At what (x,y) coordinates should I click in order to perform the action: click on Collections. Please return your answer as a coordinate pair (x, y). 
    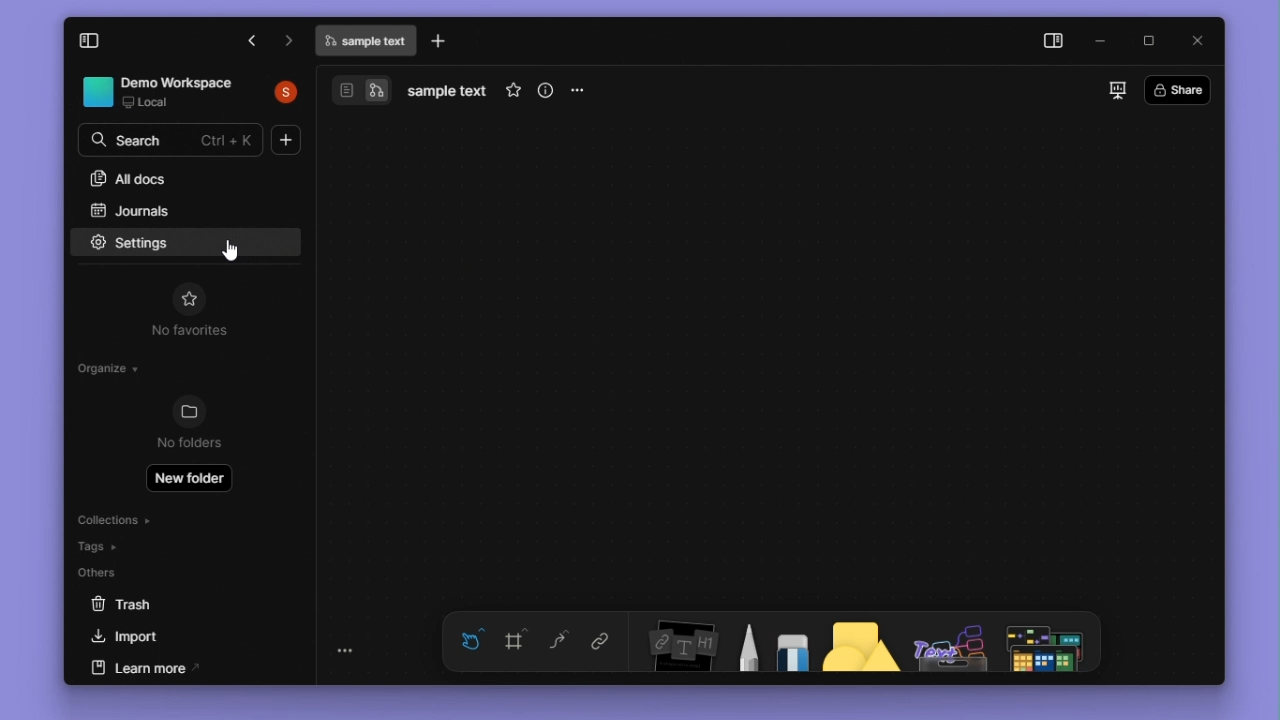
    Looking at the image, I should click on (142, 520).